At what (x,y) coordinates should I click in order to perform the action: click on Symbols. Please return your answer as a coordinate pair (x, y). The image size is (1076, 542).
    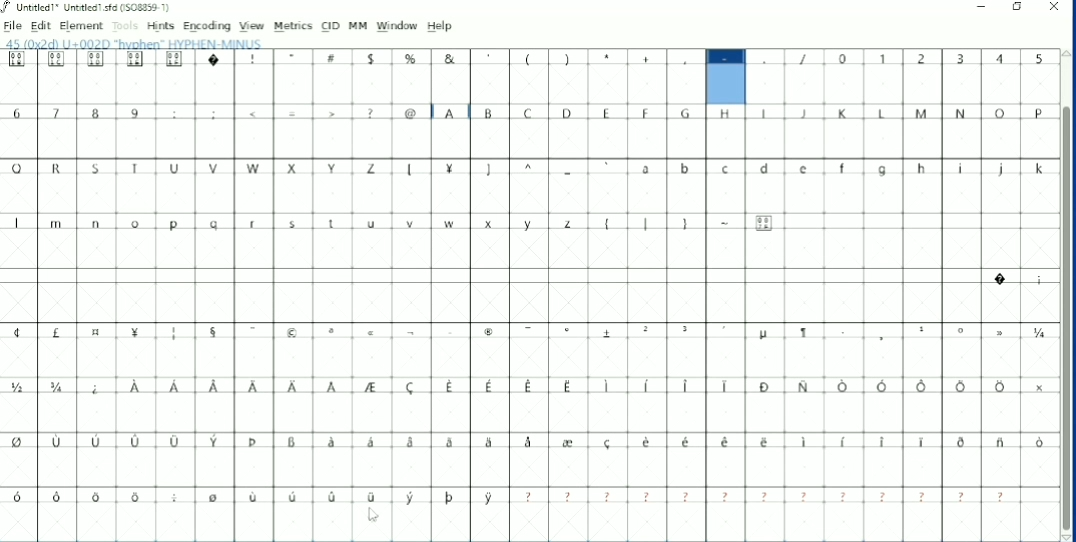
    Looking at the image, I should click on (527, 444).